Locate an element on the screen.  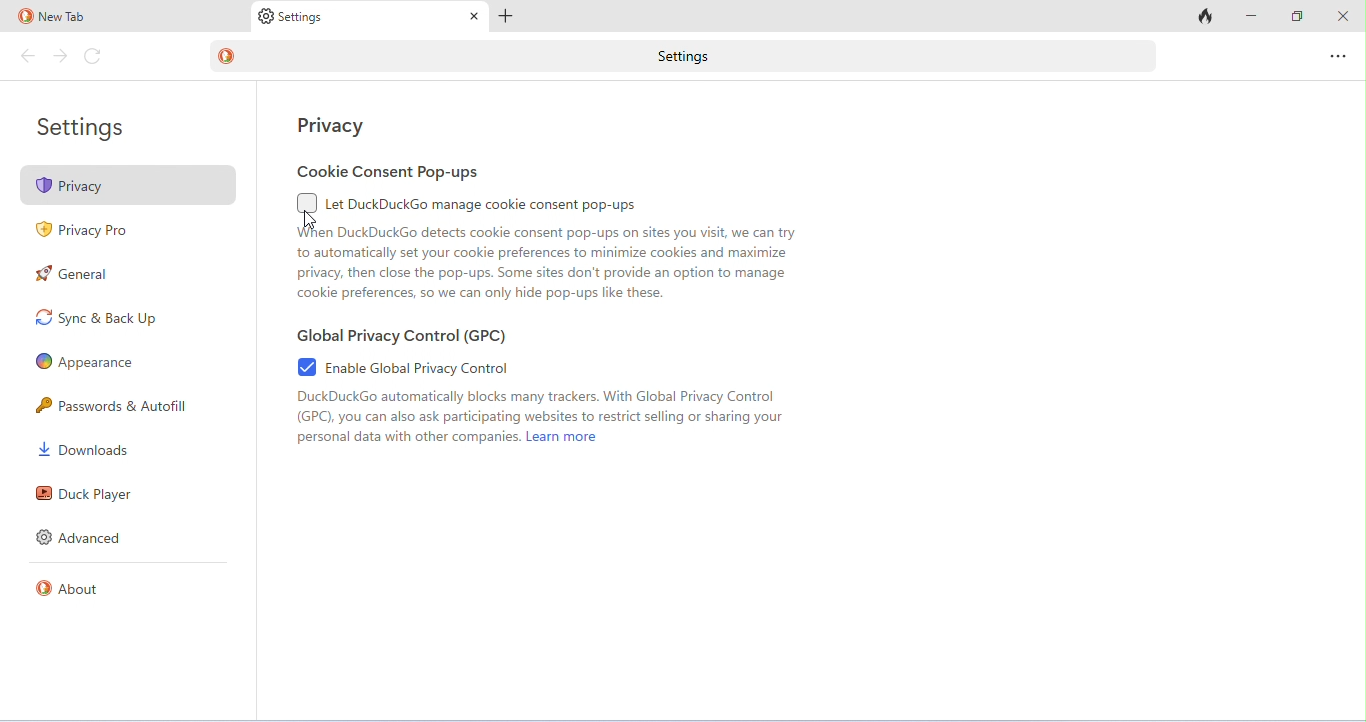
maximize is located at coordinates (1297, 16).